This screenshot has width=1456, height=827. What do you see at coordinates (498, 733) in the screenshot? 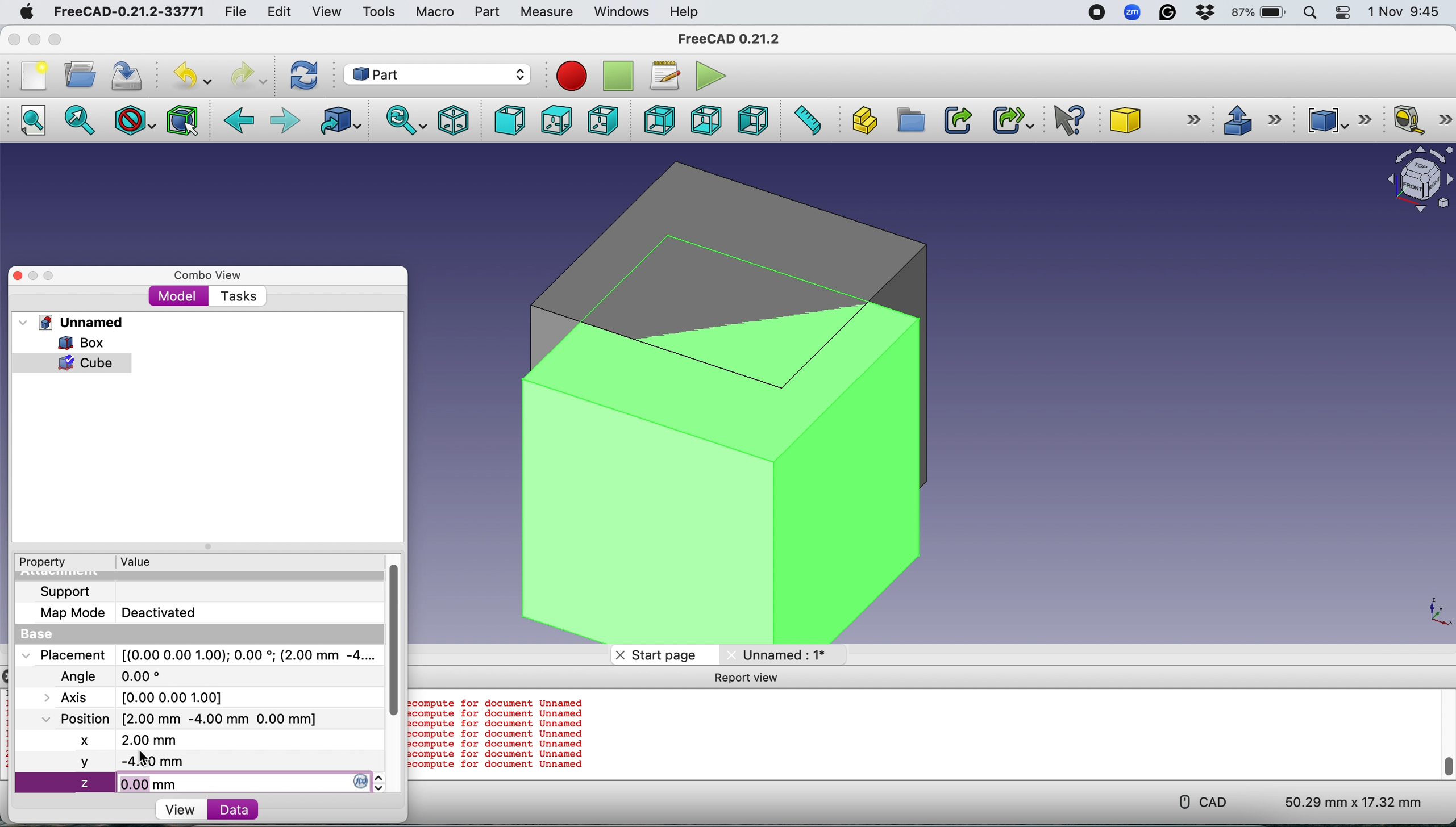
I see `compute for document Unnamed` at bounding box center [498, 733].